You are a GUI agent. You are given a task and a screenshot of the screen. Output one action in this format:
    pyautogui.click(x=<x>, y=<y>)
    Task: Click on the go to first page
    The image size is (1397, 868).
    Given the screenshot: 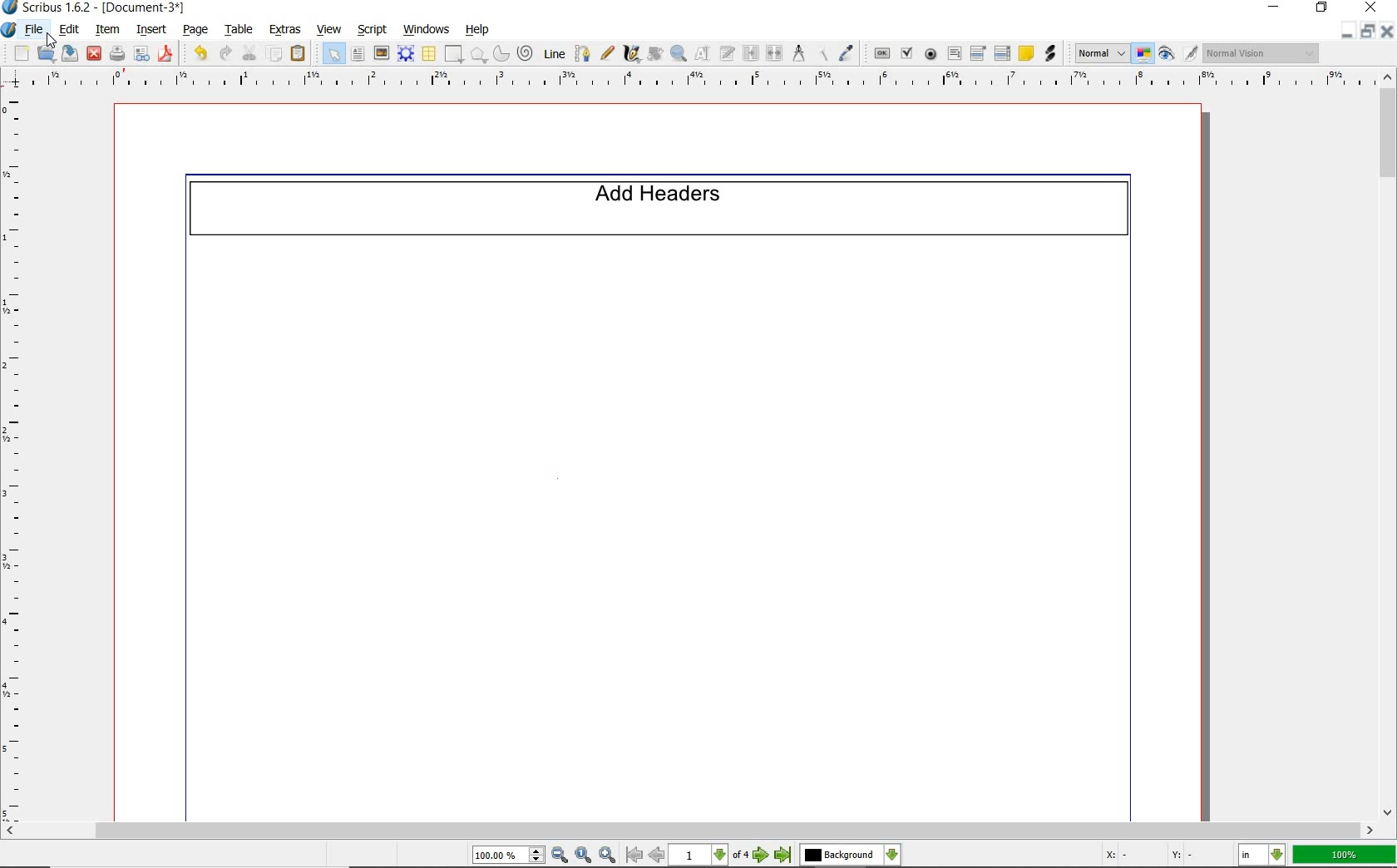 What is the action you would take?
    pyautogui.click(x=634, y=856)
    